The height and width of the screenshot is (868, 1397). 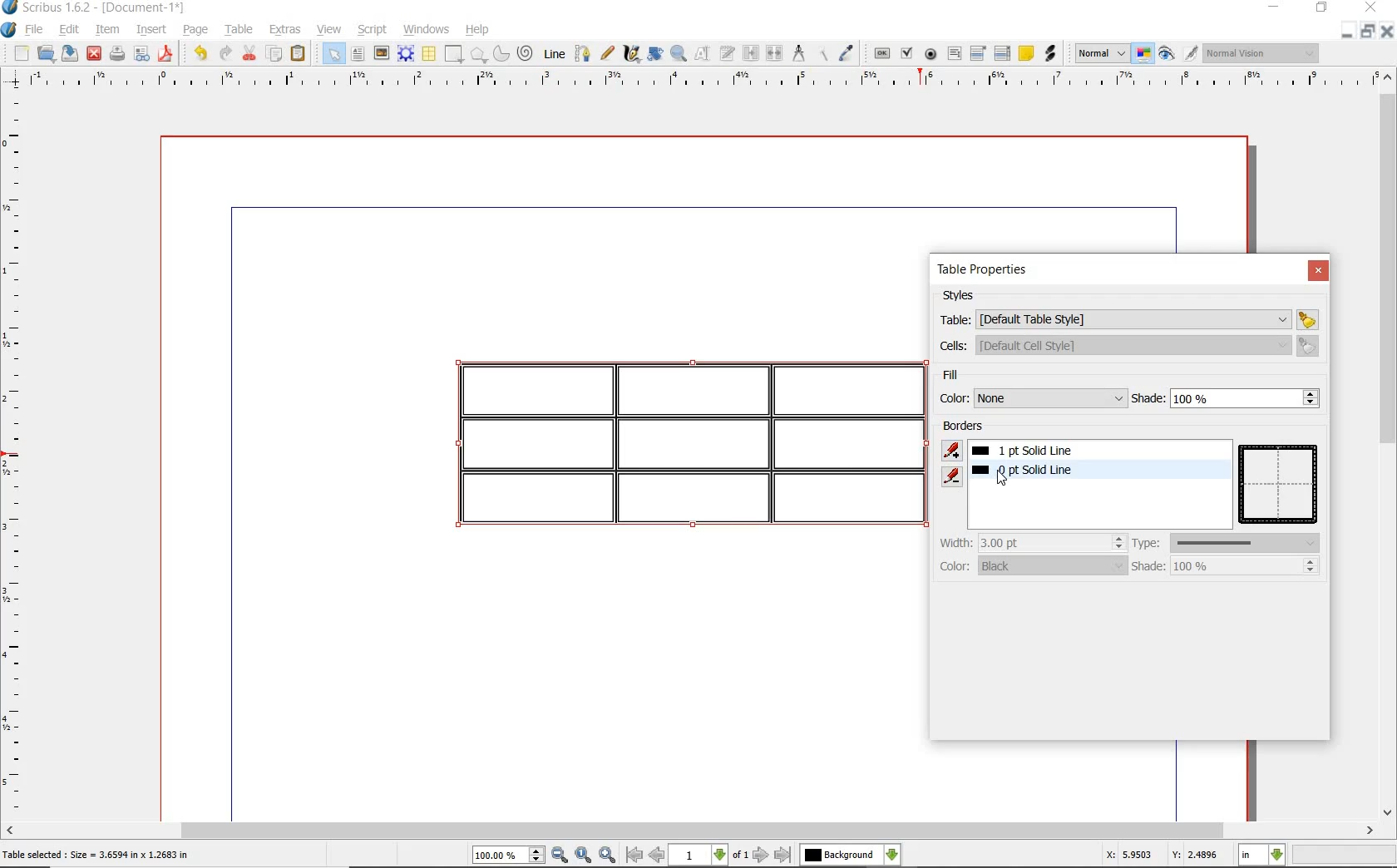 I want to click on zoom to, so click(x=583, y=855).